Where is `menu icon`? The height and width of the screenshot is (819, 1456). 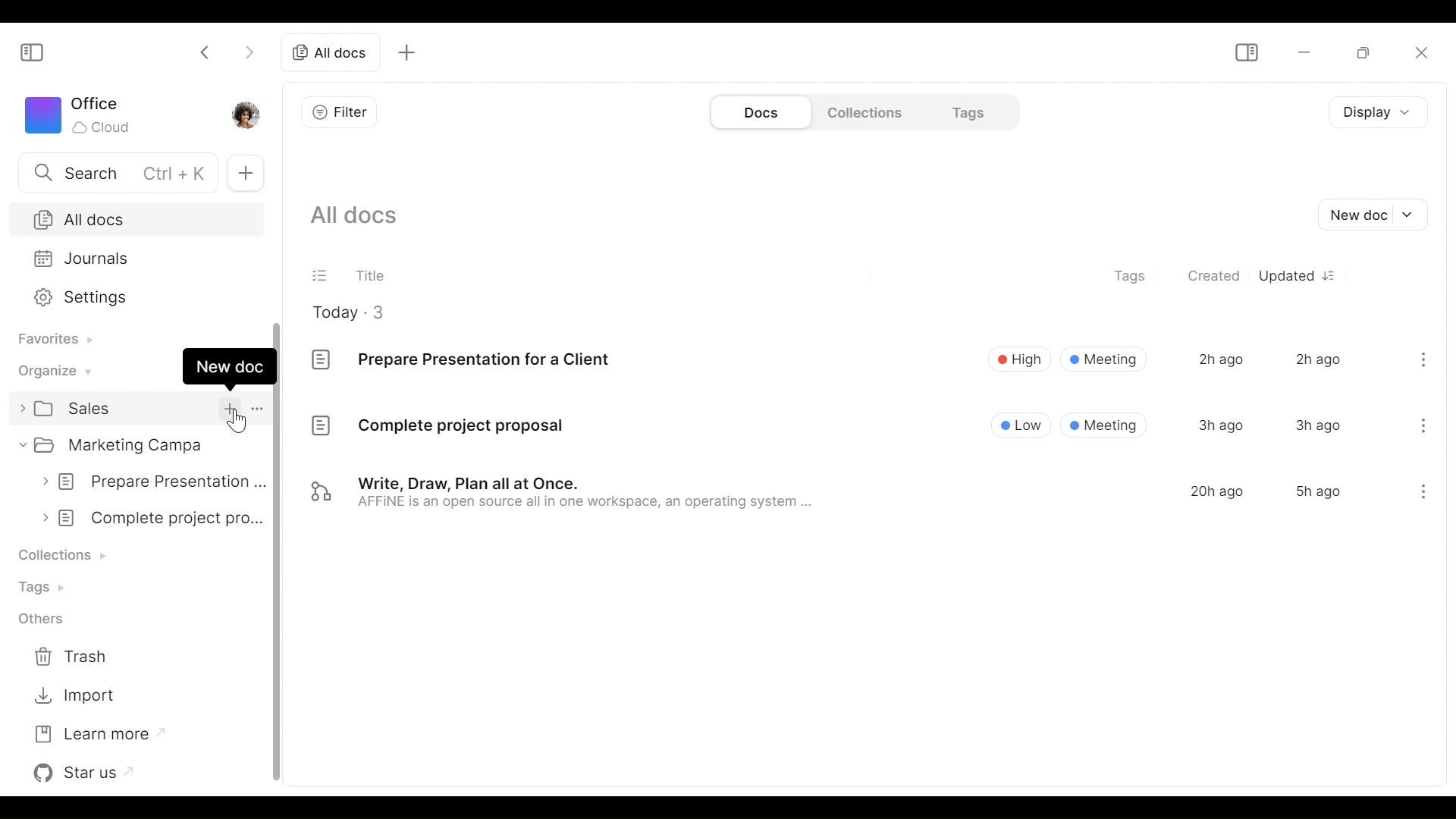 menu icon is located at coordinates (1421, 494).